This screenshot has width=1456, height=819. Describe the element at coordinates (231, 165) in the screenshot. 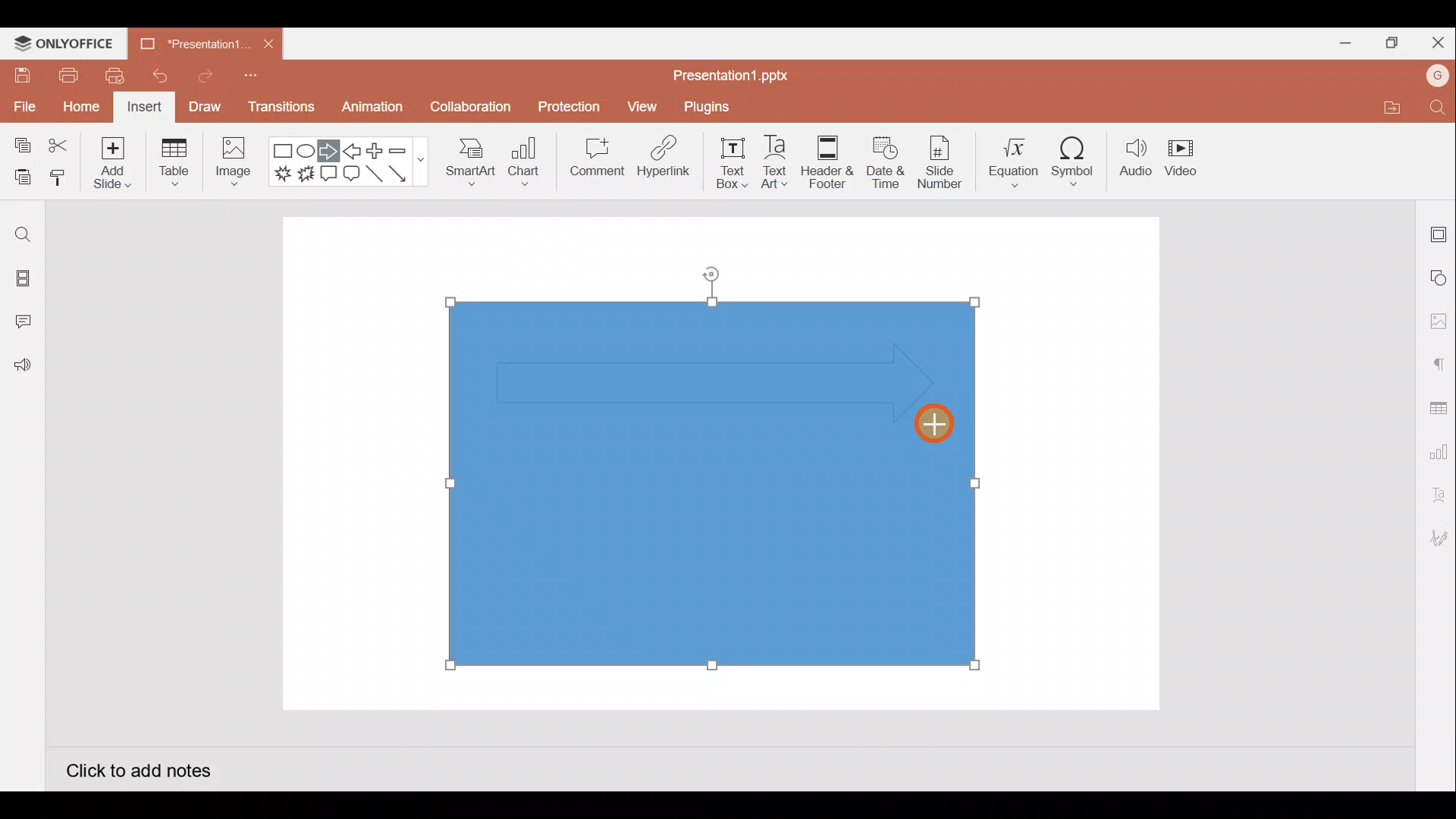

I see `Image` at that location.